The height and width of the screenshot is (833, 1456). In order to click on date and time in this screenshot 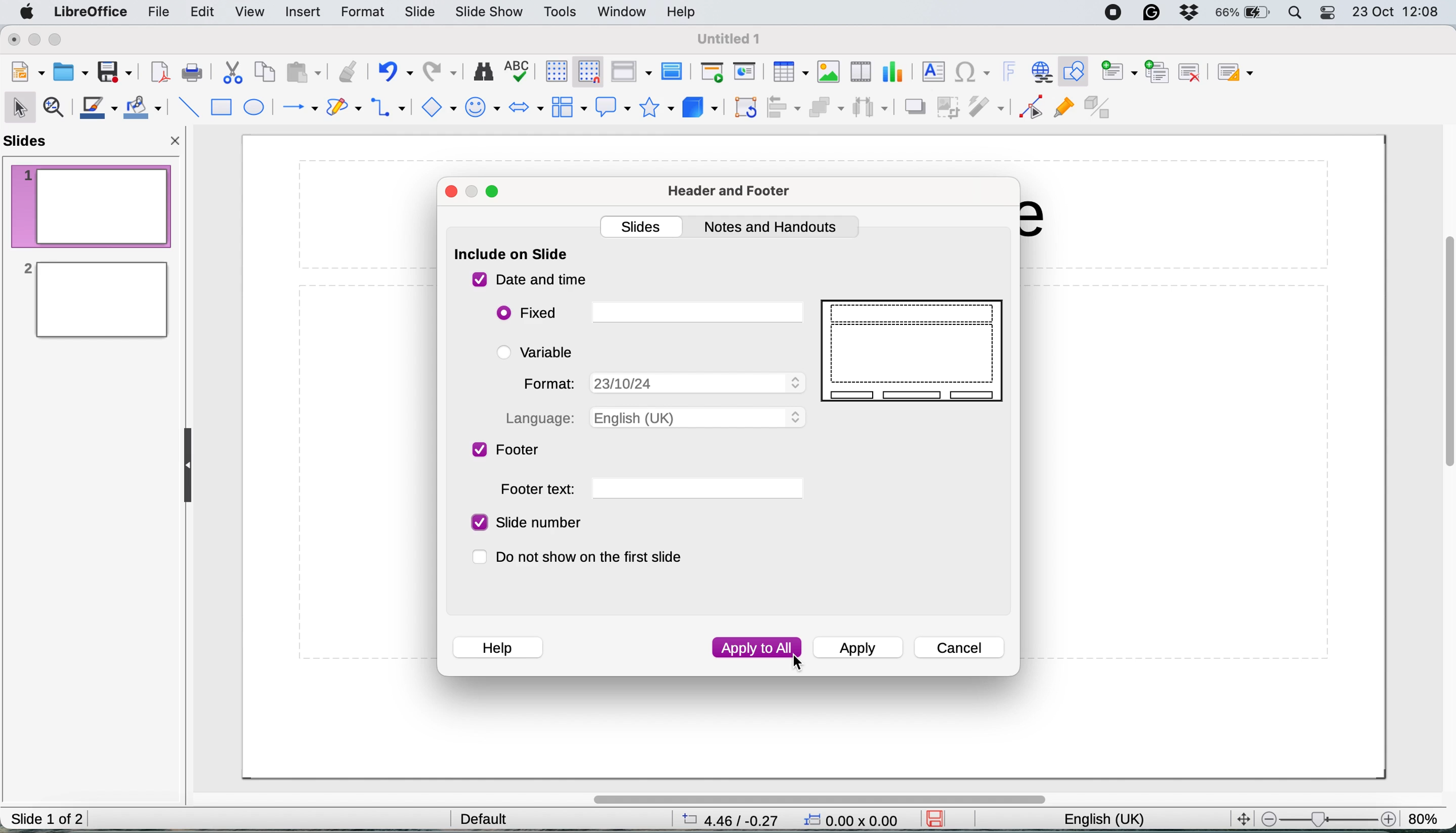, I will do `click(529, 280)`.